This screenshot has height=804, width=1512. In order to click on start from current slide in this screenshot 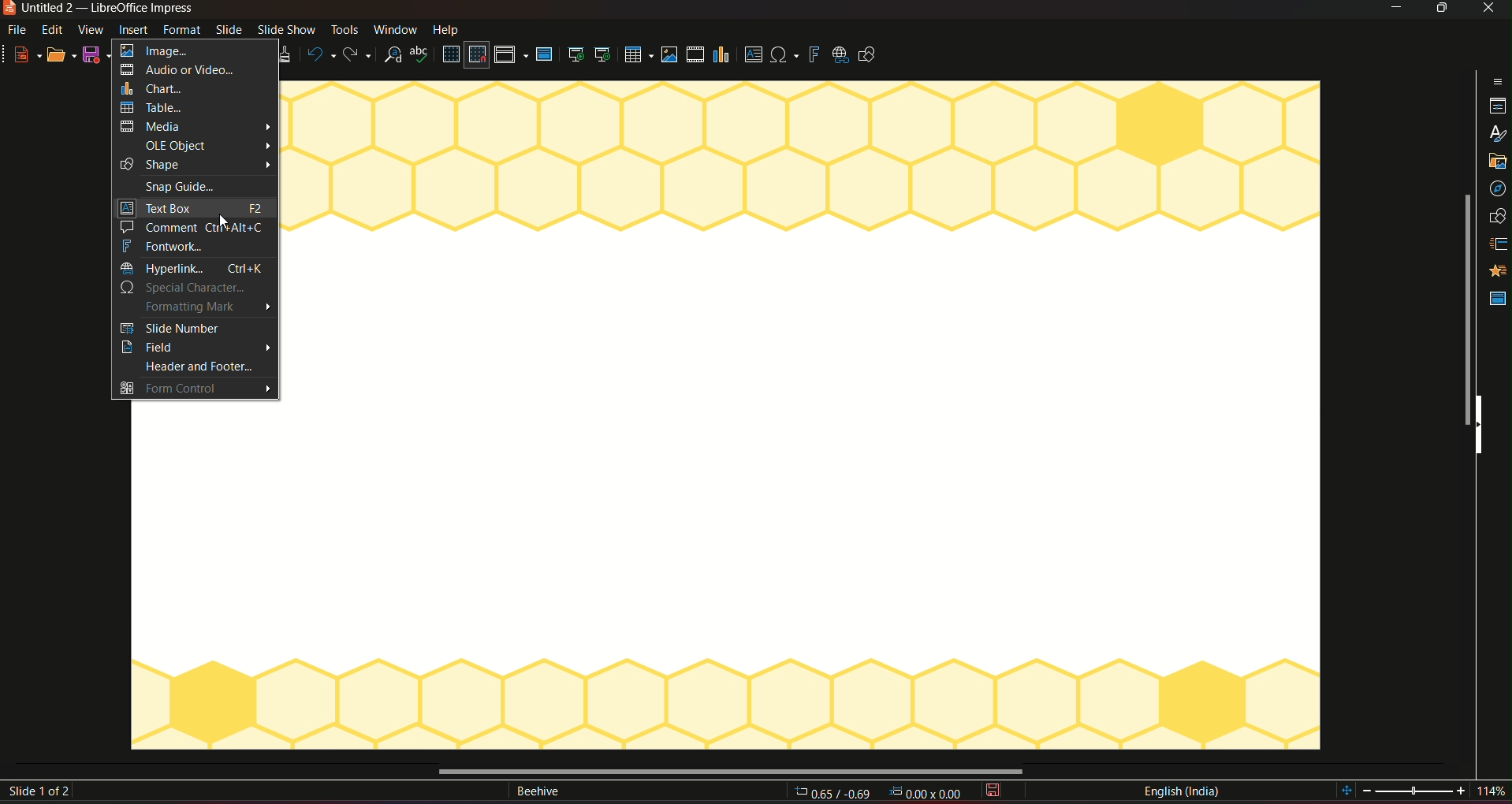, I will do `click(602, 55)`.